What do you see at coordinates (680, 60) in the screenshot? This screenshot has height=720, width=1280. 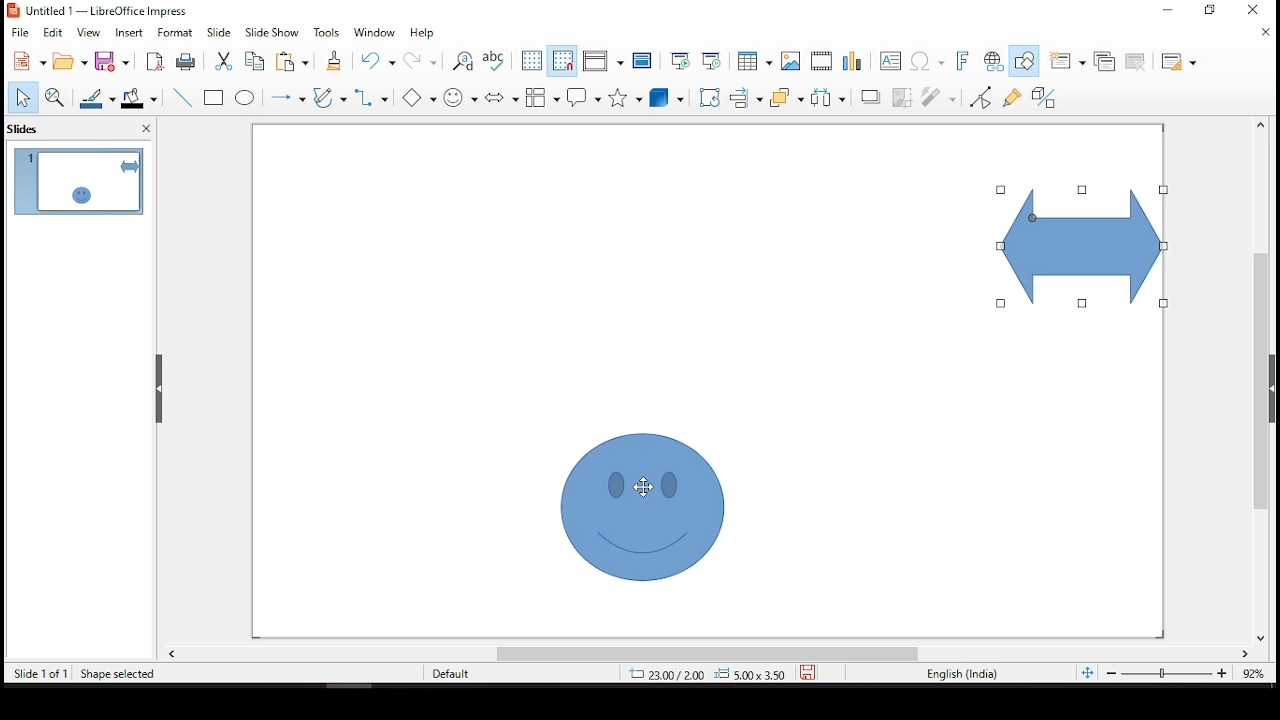 I see `start from first slide` at bounding box center [680, 60].